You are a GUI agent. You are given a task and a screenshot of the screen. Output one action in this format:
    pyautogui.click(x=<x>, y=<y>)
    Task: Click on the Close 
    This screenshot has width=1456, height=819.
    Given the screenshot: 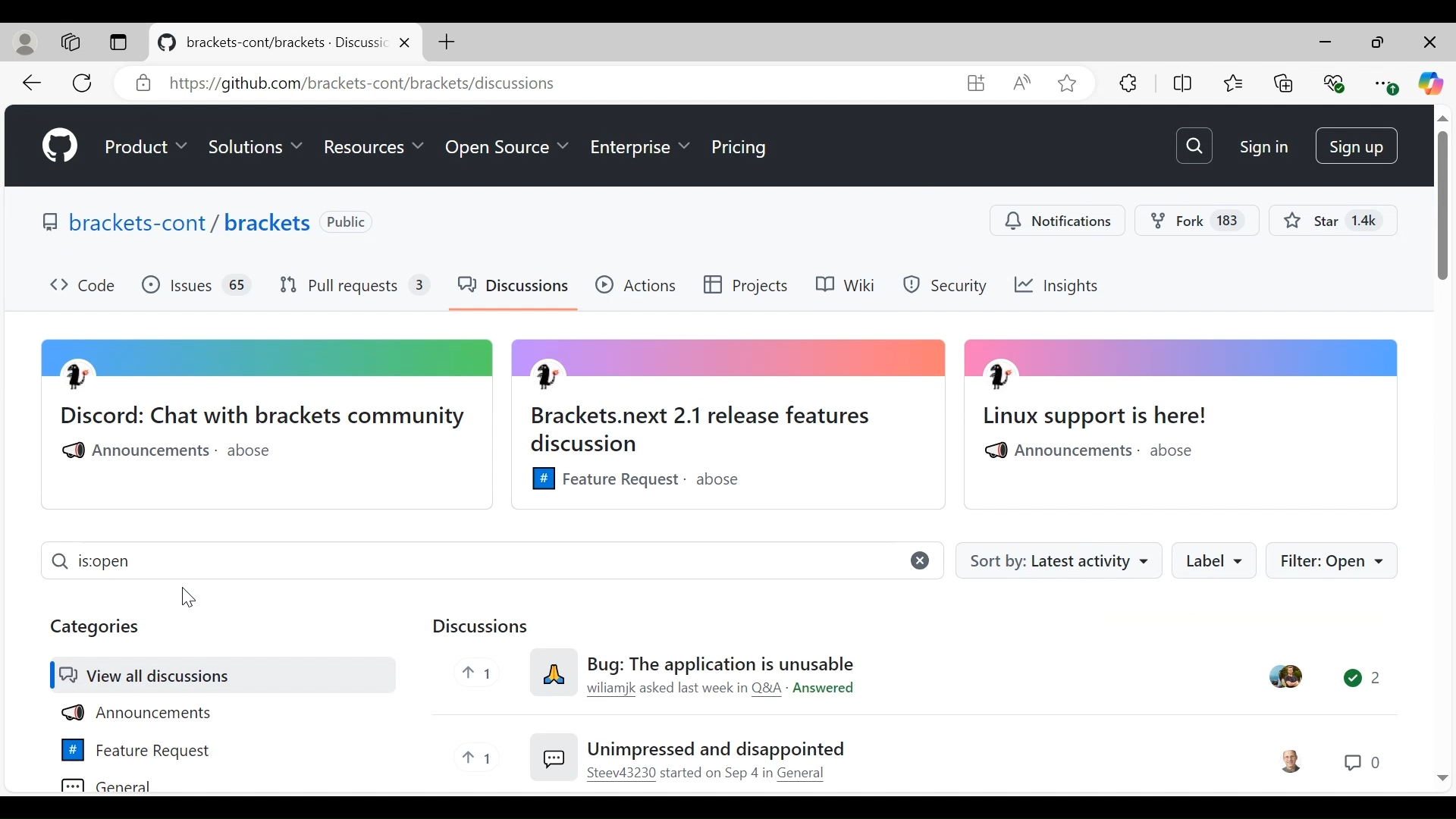 What is the action you would take?
    pyautogui.click(x=1431, y=43)
    